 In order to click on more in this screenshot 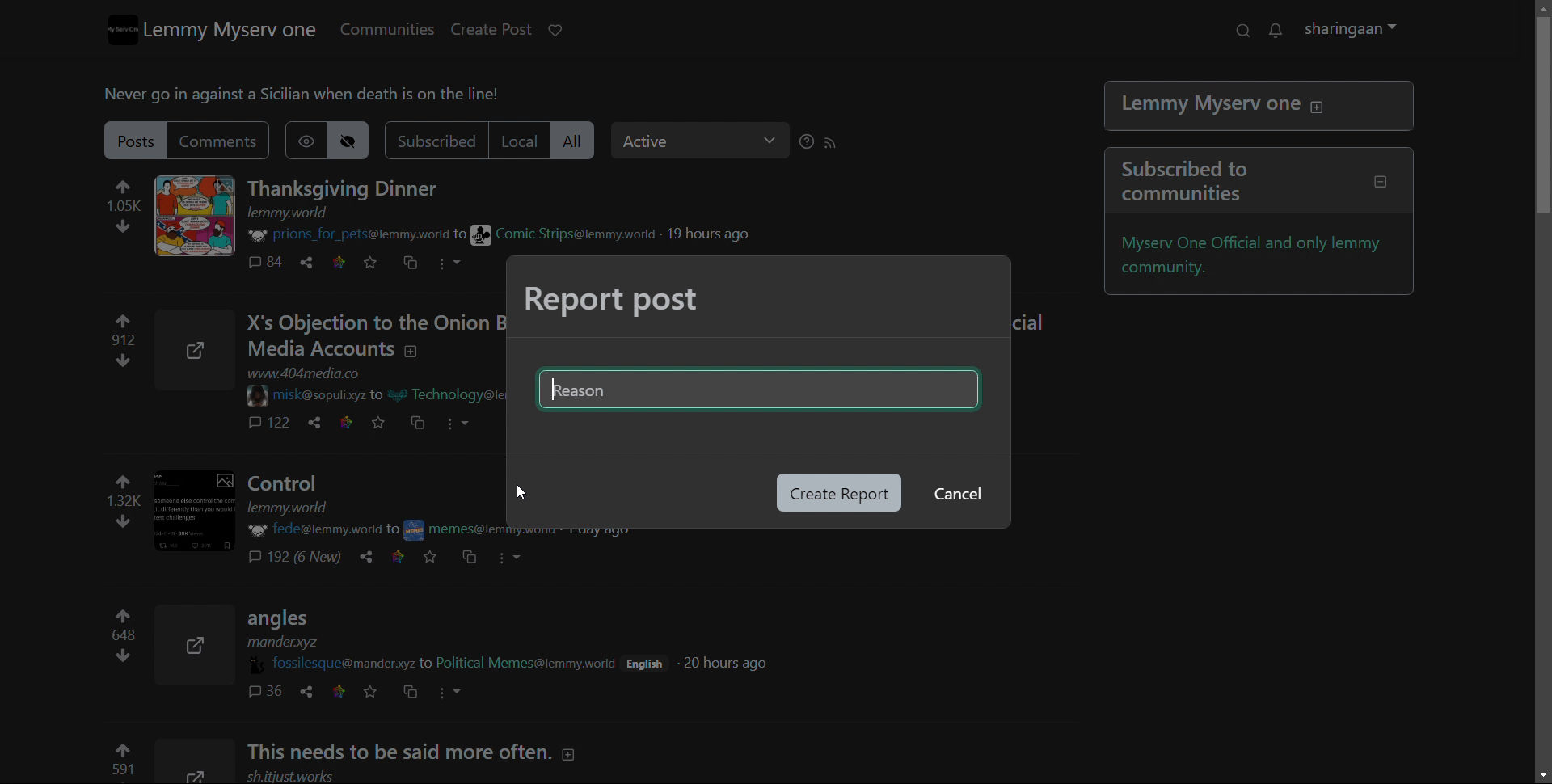, I will do `click(459, 690)`.